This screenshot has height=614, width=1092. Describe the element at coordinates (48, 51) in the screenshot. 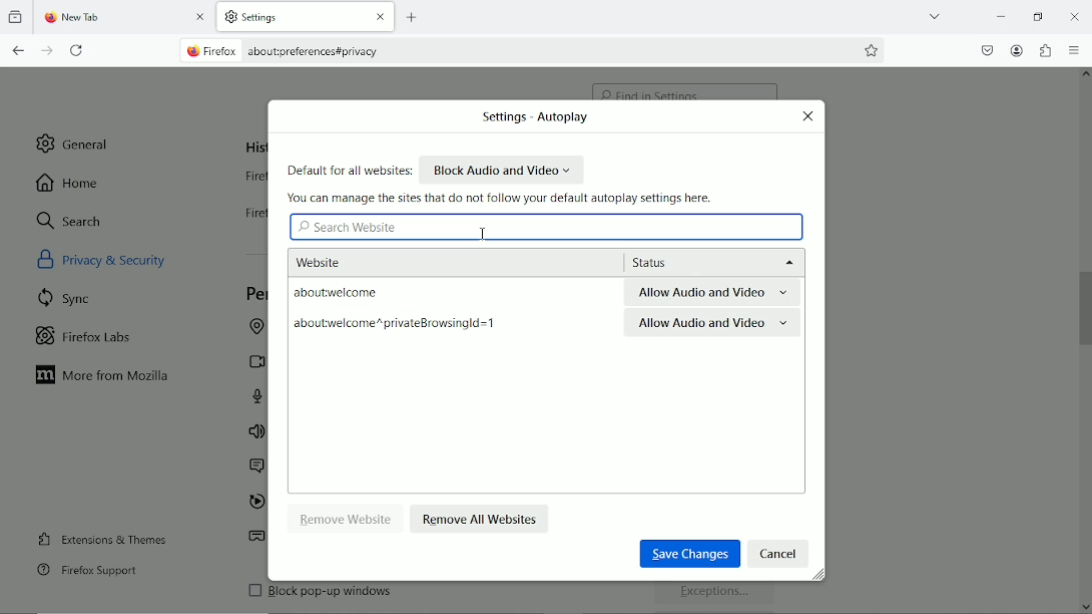

I see `go forward` at that location.